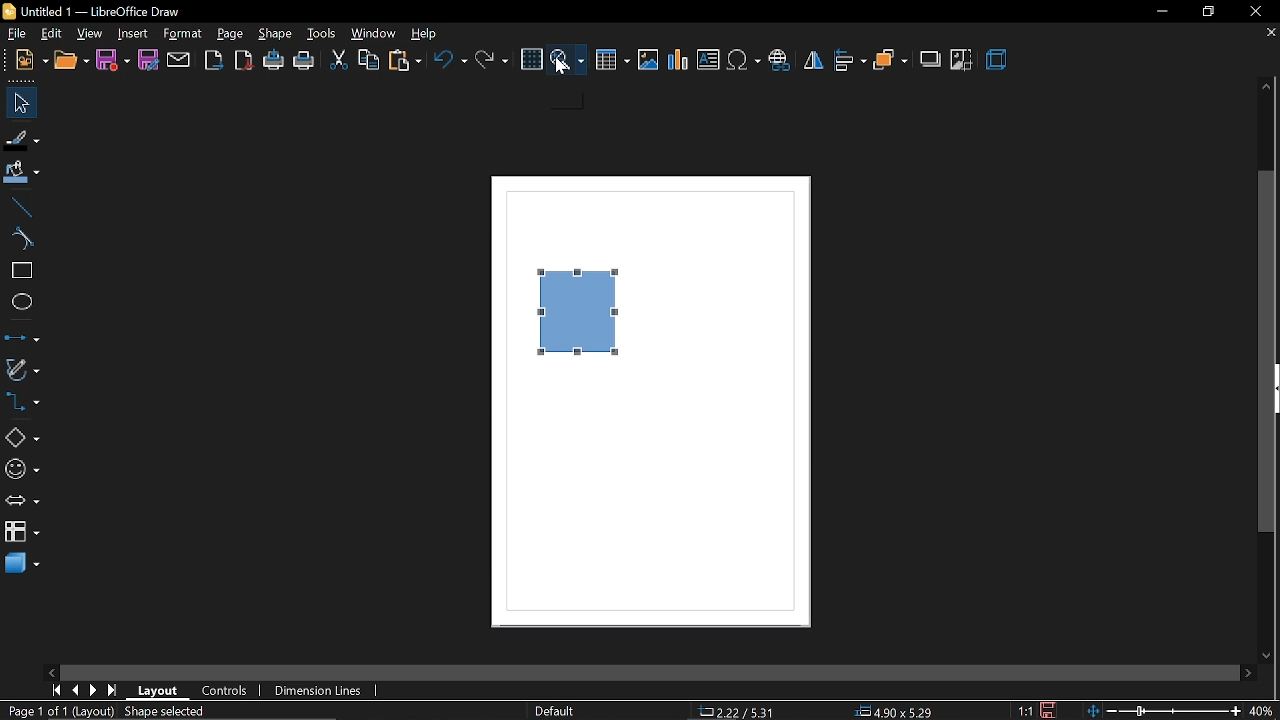  Describe the element at coordinates (114, 690) in the screenshot. I see `go to last page` at that location.